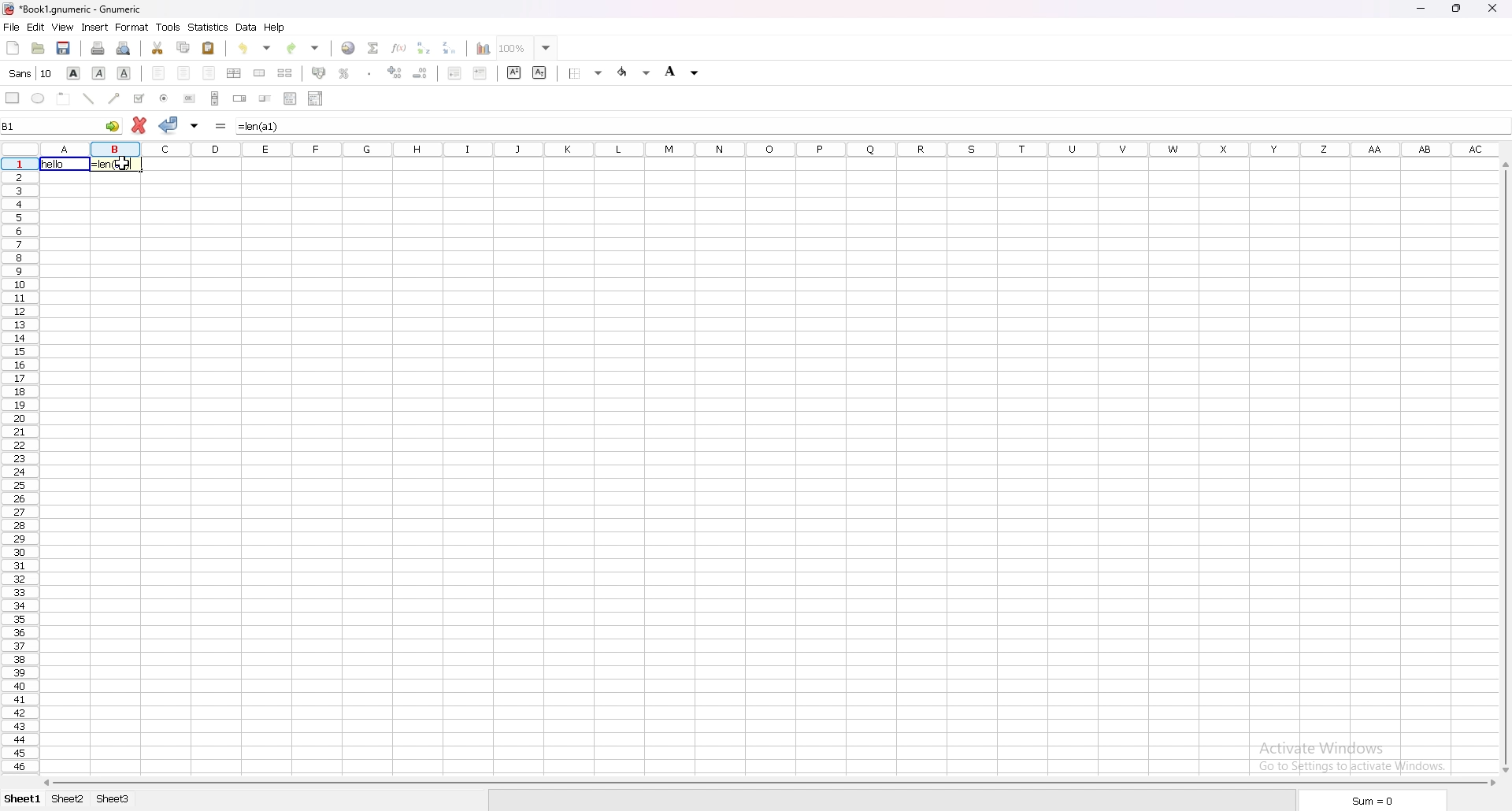  I want to click on paste, so click(209, 49).